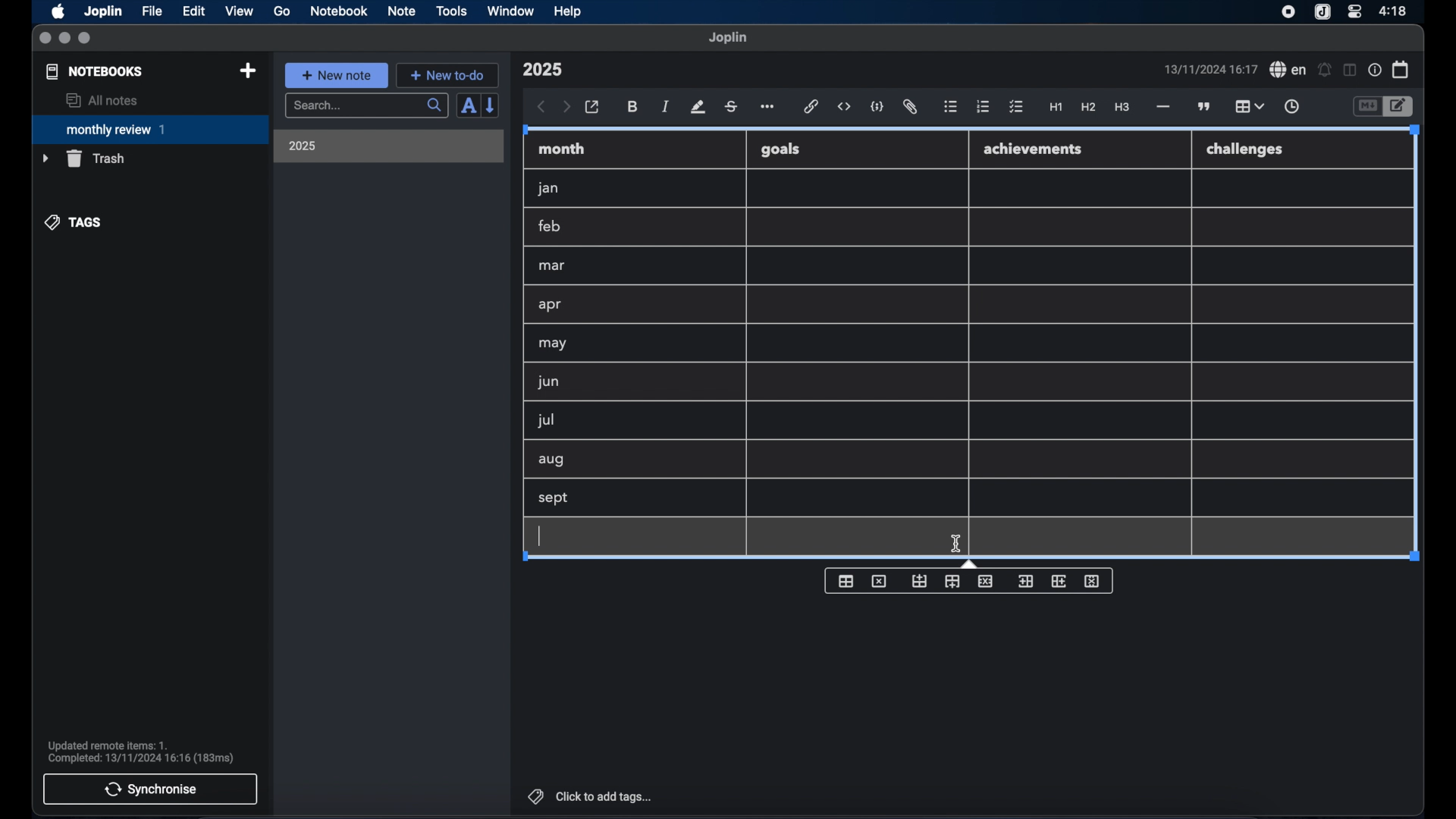 The height and width of the screenshot is (819, 1456). Describe the element at coordinates (698, 107) in the screenshot. I see `highlight` at that location.